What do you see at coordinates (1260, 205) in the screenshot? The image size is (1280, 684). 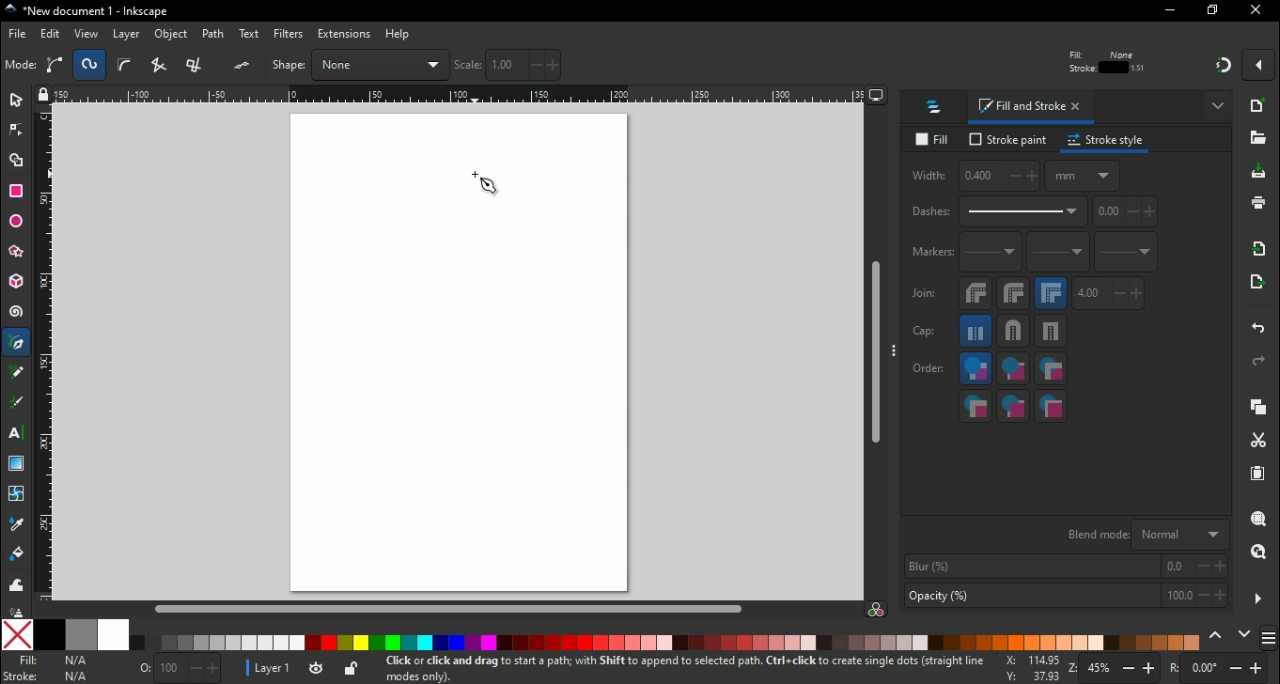 I see `print` at bounding box center [1260, 205].